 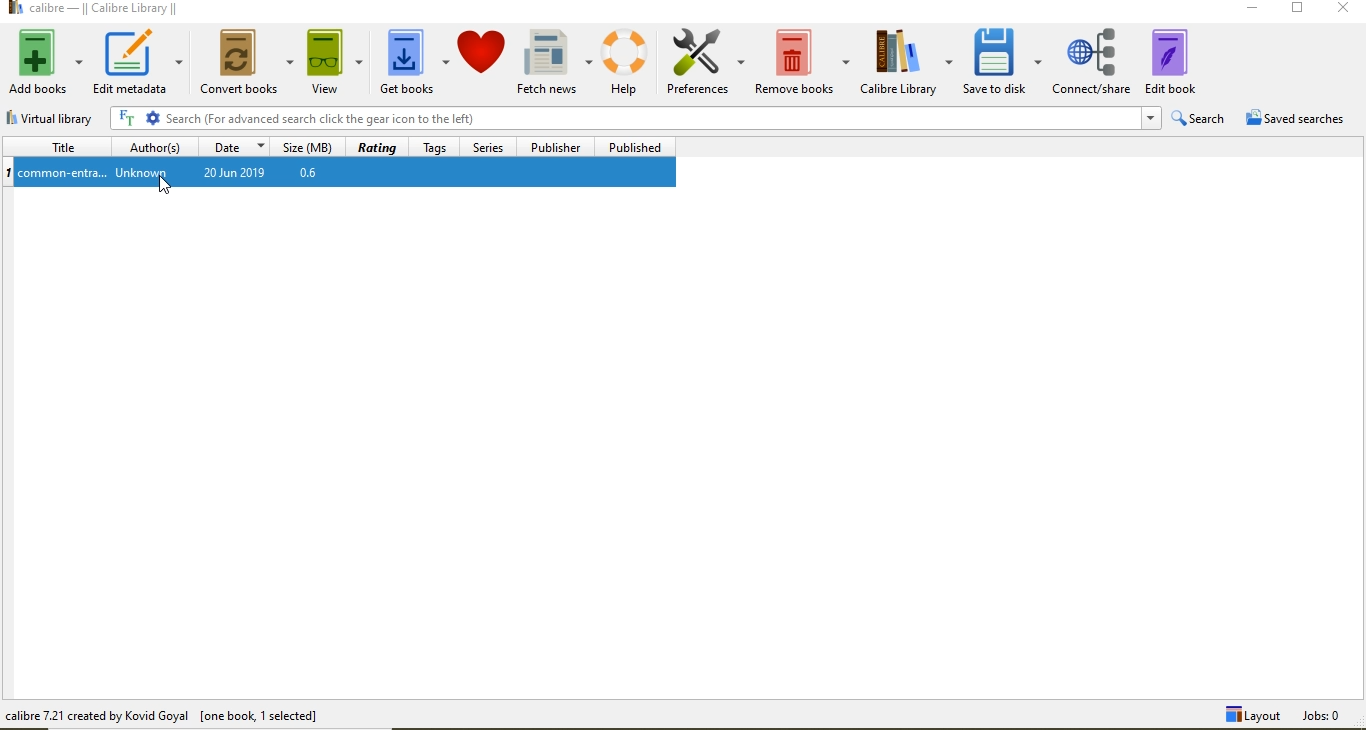 What do you see at coordinates (233, 149) in the screenshot?
I see `Date` at bounding box center [233, 149].